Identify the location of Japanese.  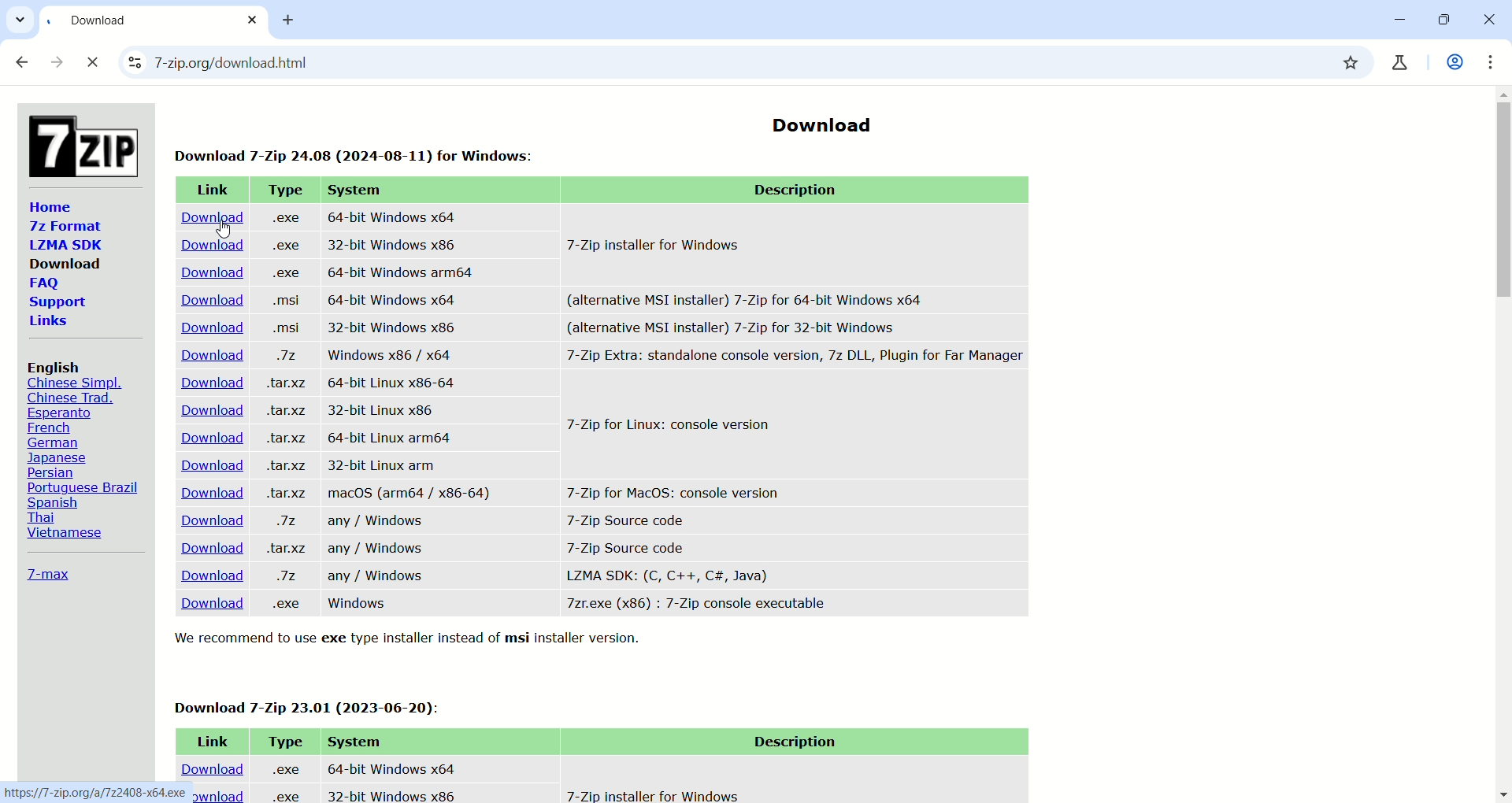
(60, 457).